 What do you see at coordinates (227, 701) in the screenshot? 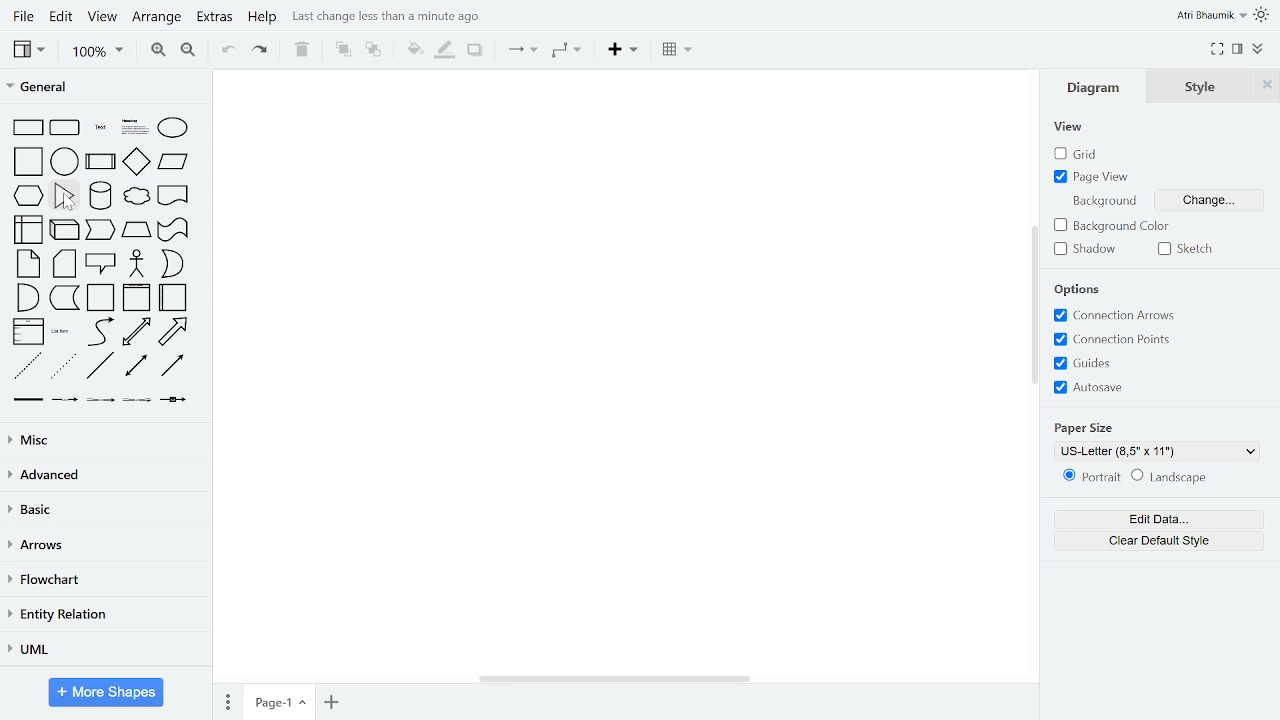
I see `pages` at bounding box center [227, 701].